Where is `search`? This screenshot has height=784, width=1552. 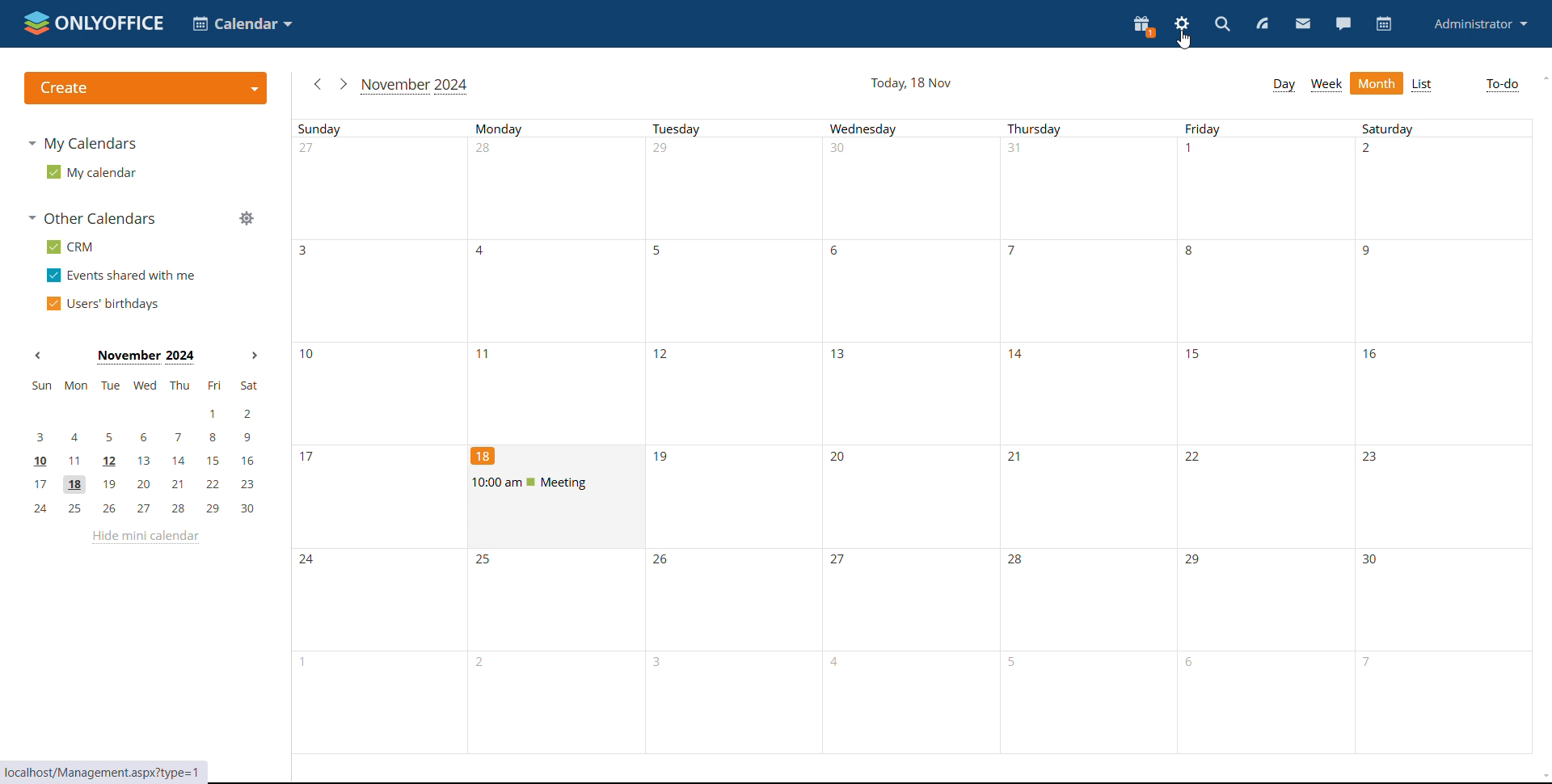 search is located at coordinates (1221, 23).